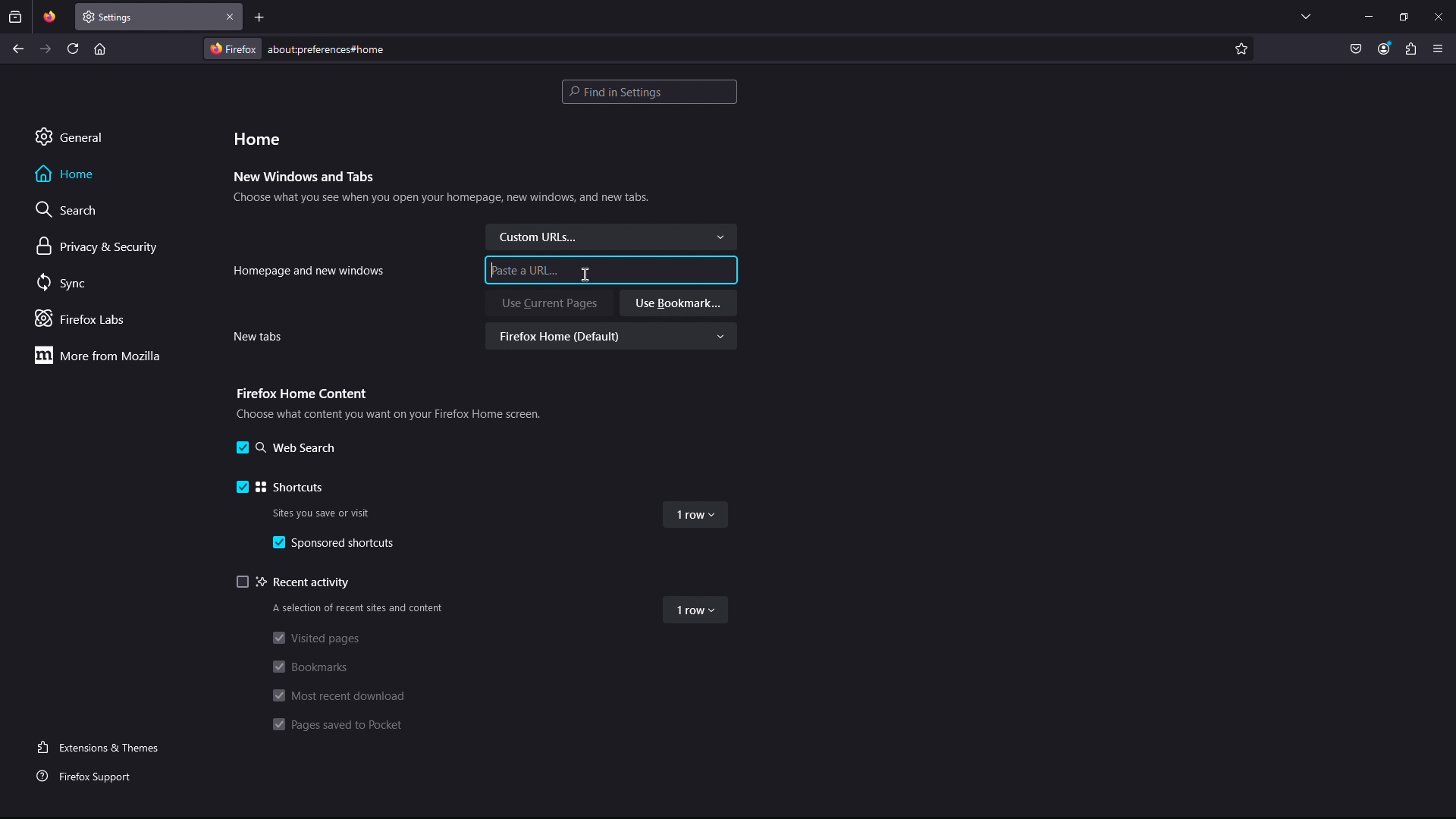 The width and height of the screenshot is (1456, 819). I want to click on Choose what you see when you open your homepage, so click(441, 200).